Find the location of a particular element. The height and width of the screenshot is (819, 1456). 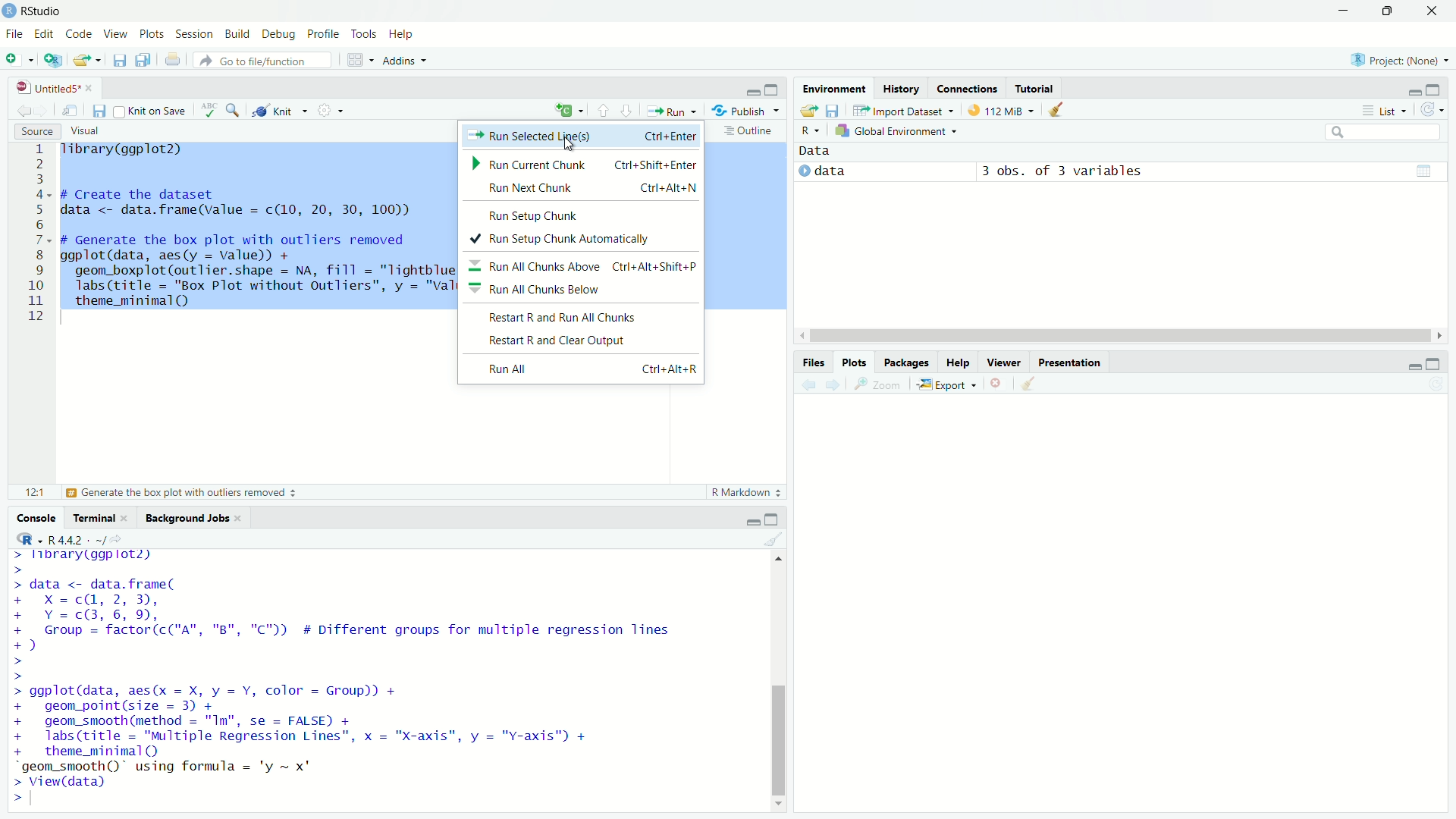

Run Next Chunk Ctri+Alt+N is located at coordinates (580, 187).